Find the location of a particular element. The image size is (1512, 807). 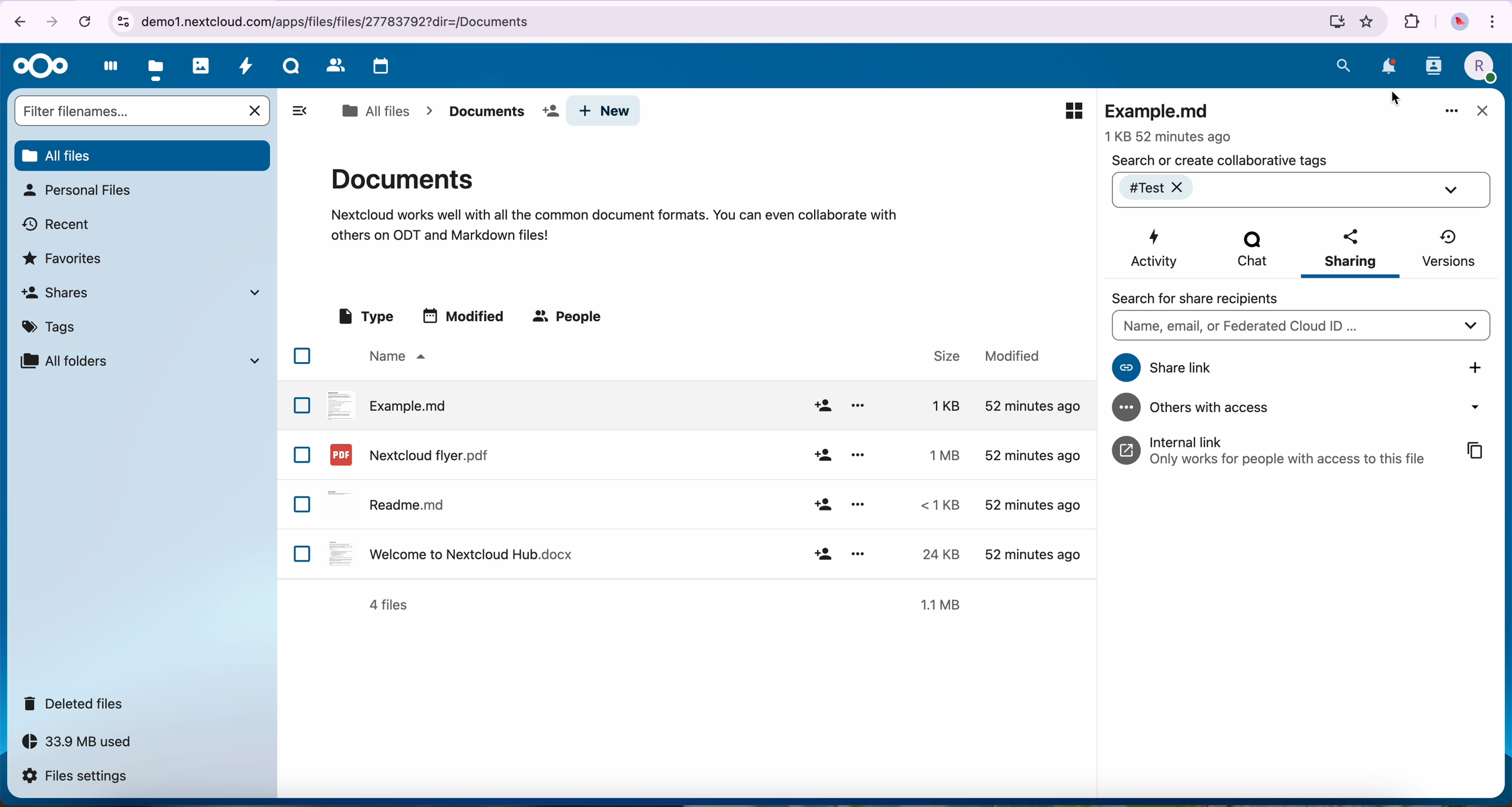

navigate foward is located at coordinates (55, 20).